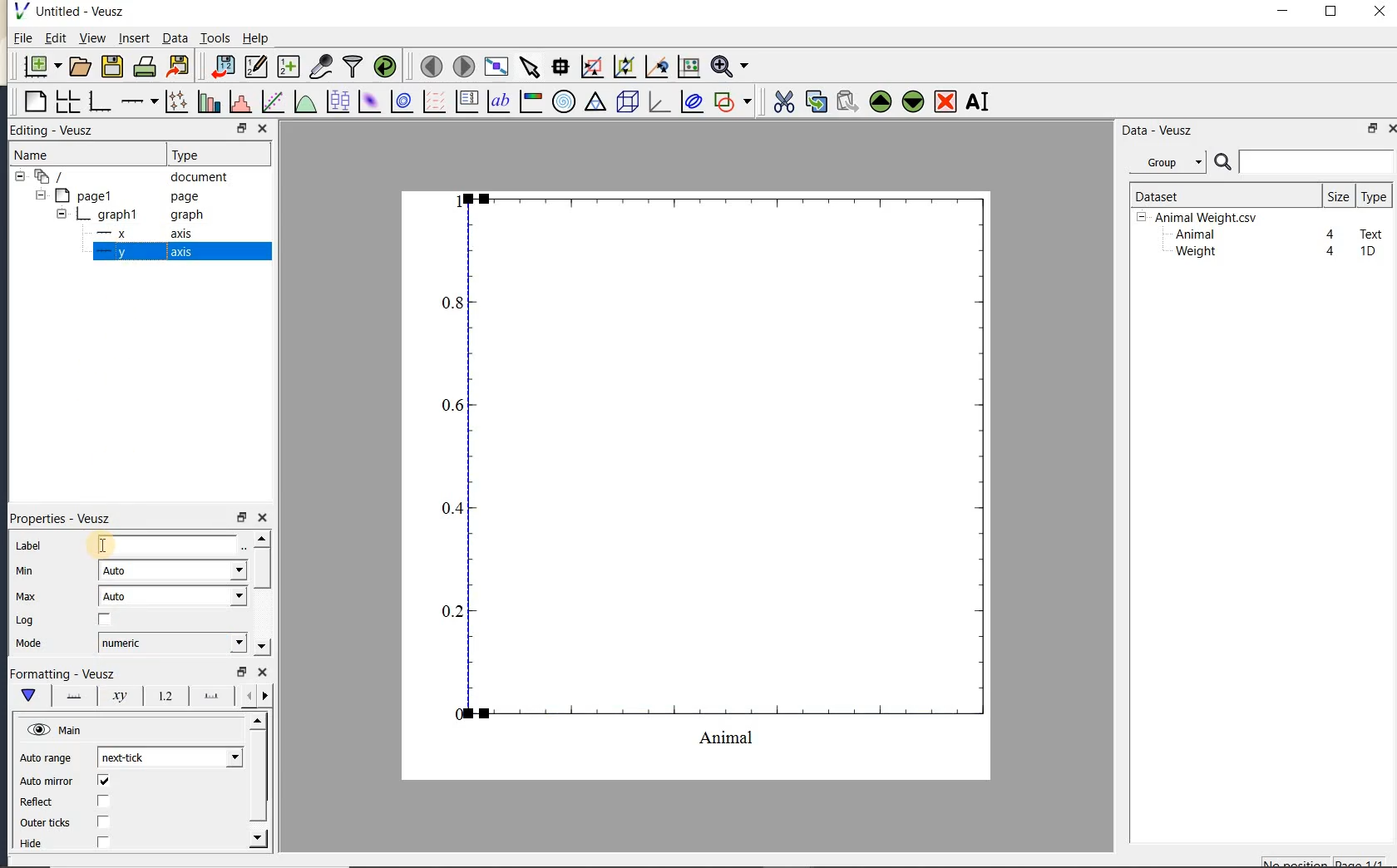  What do you see at coordinates (531, 67) in the screenshot?
I see `select items from the graph or scroll` at bounding box center [531, 67].